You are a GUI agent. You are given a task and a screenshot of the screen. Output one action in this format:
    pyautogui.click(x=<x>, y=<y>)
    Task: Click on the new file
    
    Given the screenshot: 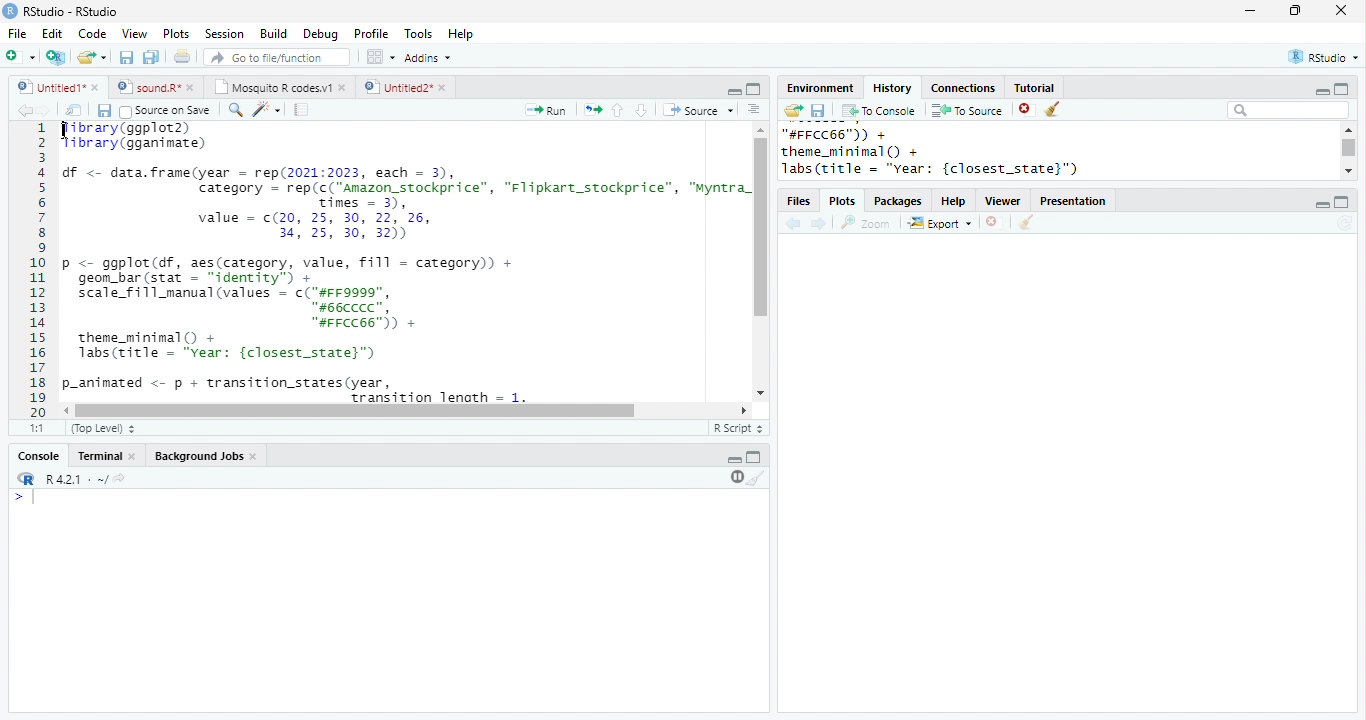 What is the action you would take?
    pyautogui.click(x=20, y=57)
    